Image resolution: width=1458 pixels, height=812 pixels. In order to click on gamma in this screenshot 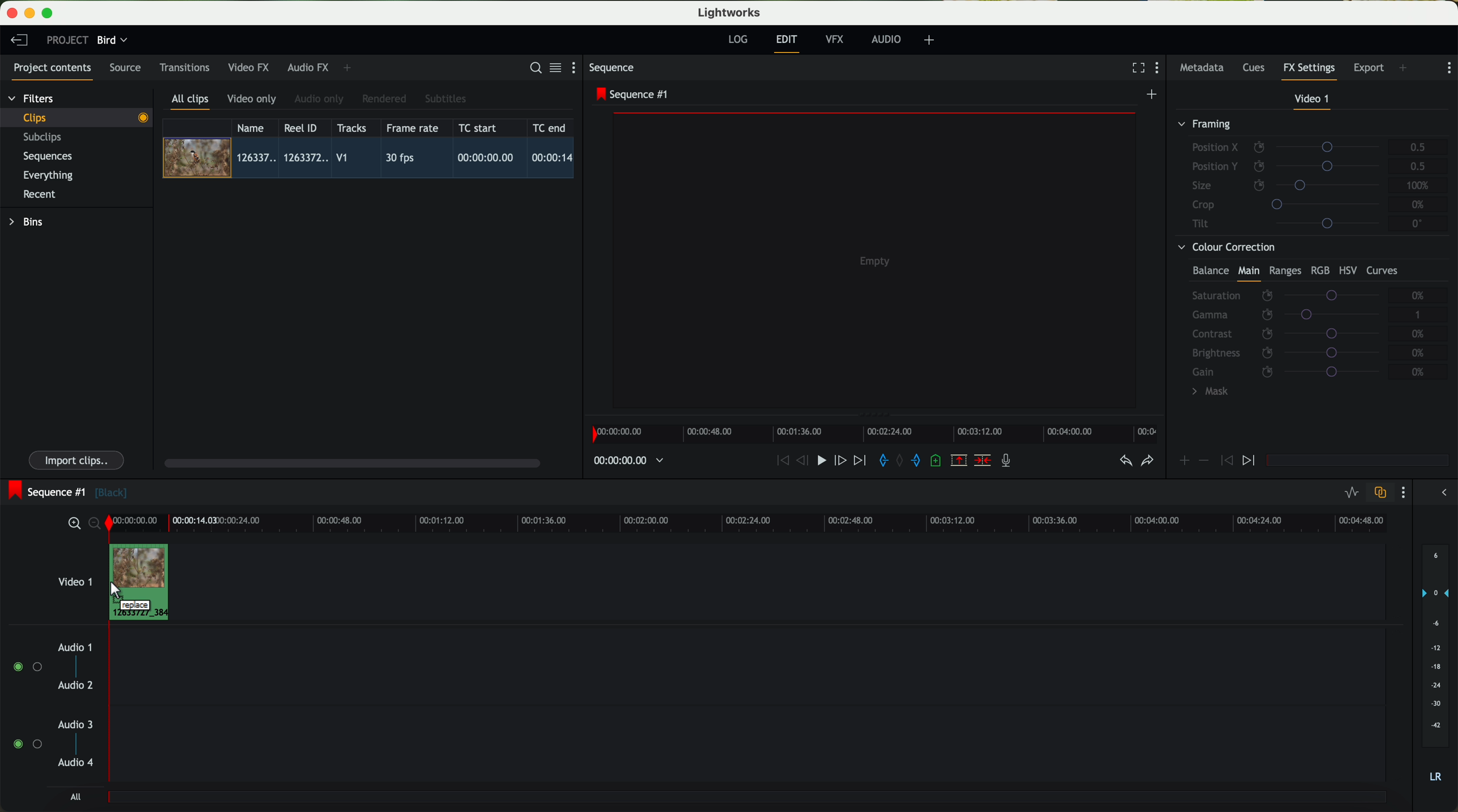, I will do `click(1292, 314)`.